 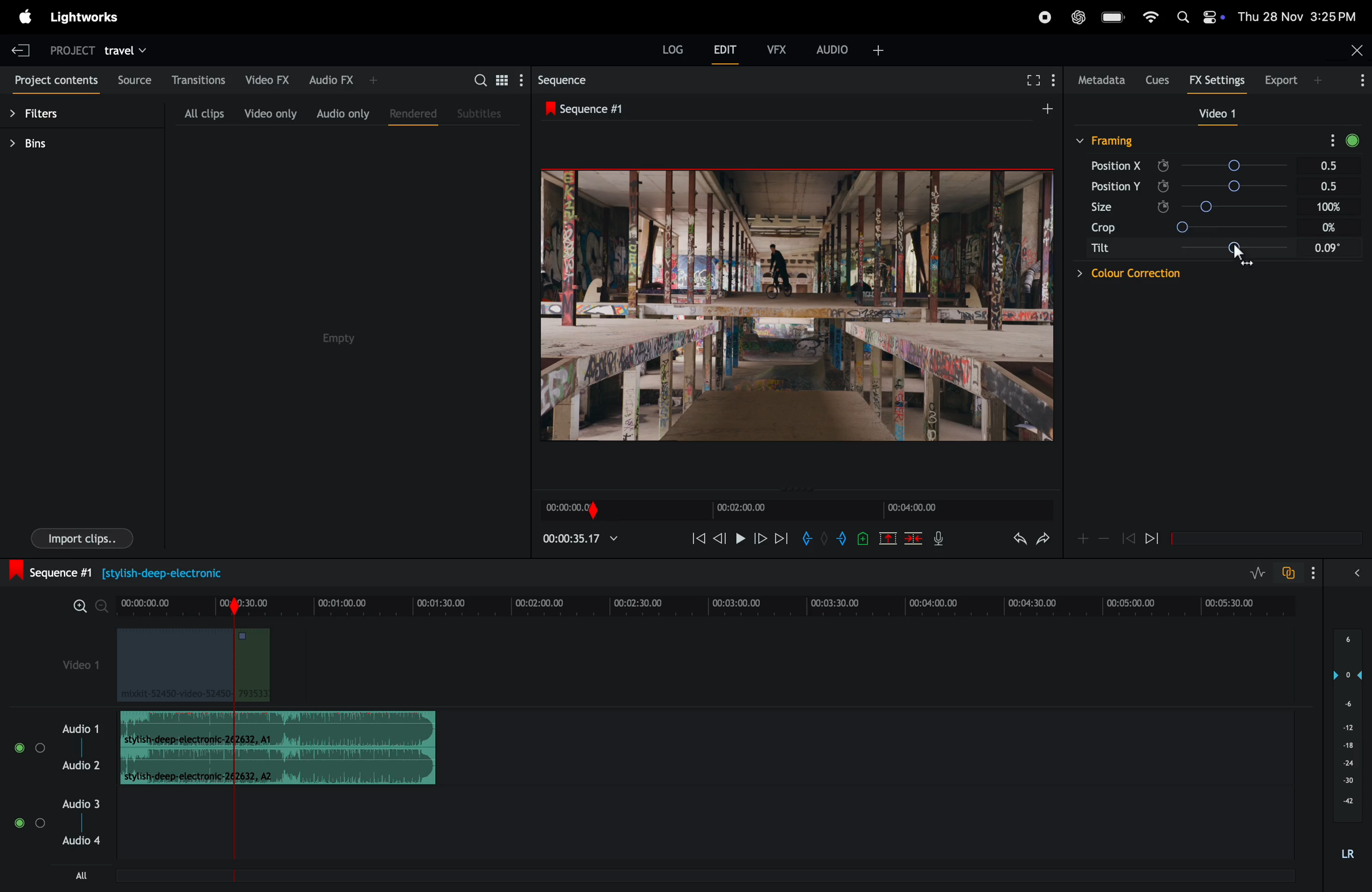 I want to click on Show settings menu, so click(x=1360, y=82).